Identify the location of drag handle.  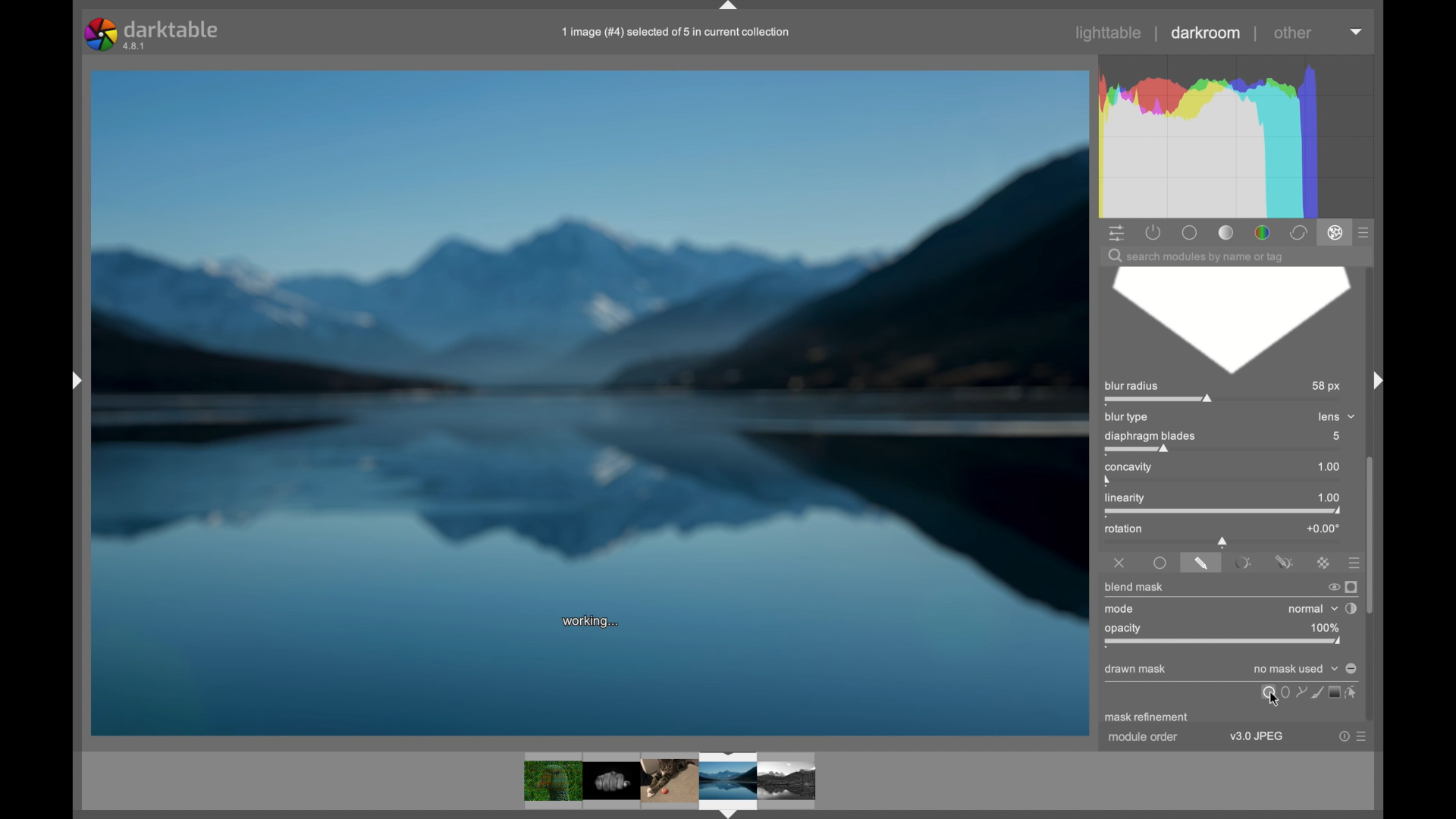
(1373, 379).